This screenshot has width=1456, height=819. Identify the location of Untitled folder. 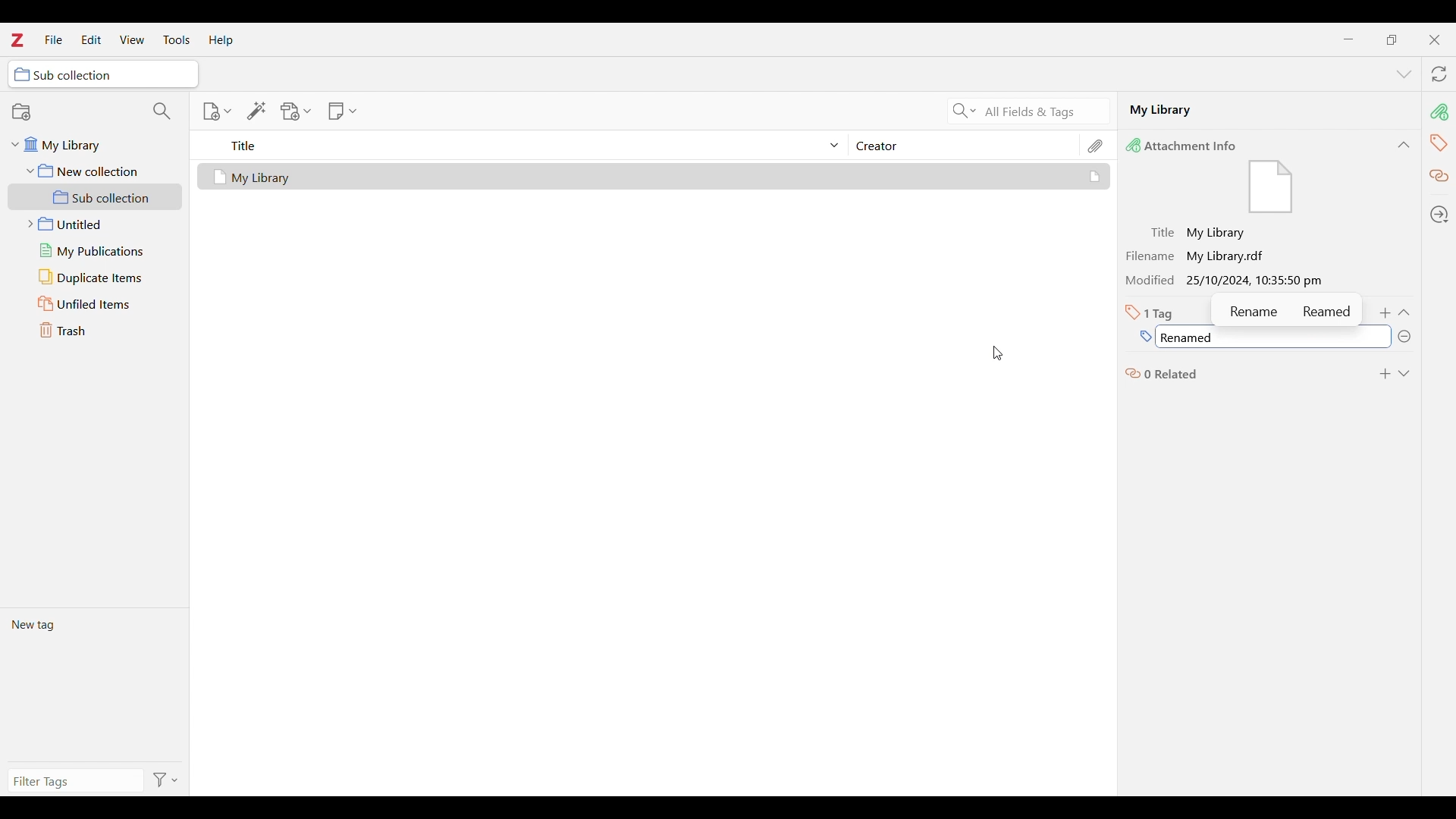
(92, 222).